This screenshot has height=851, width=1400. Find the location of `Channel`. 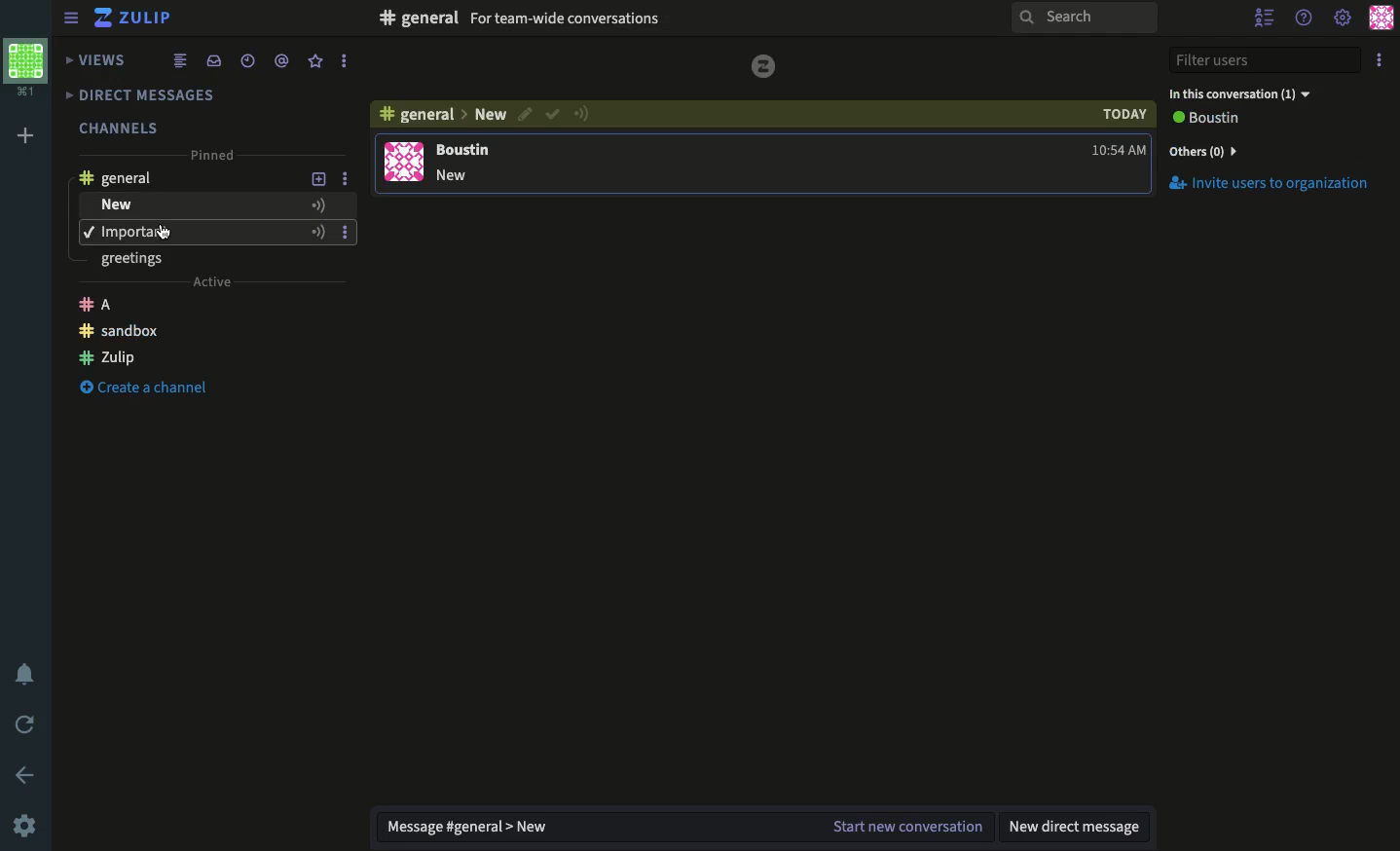

Channel is located at coordinates (421, 118).